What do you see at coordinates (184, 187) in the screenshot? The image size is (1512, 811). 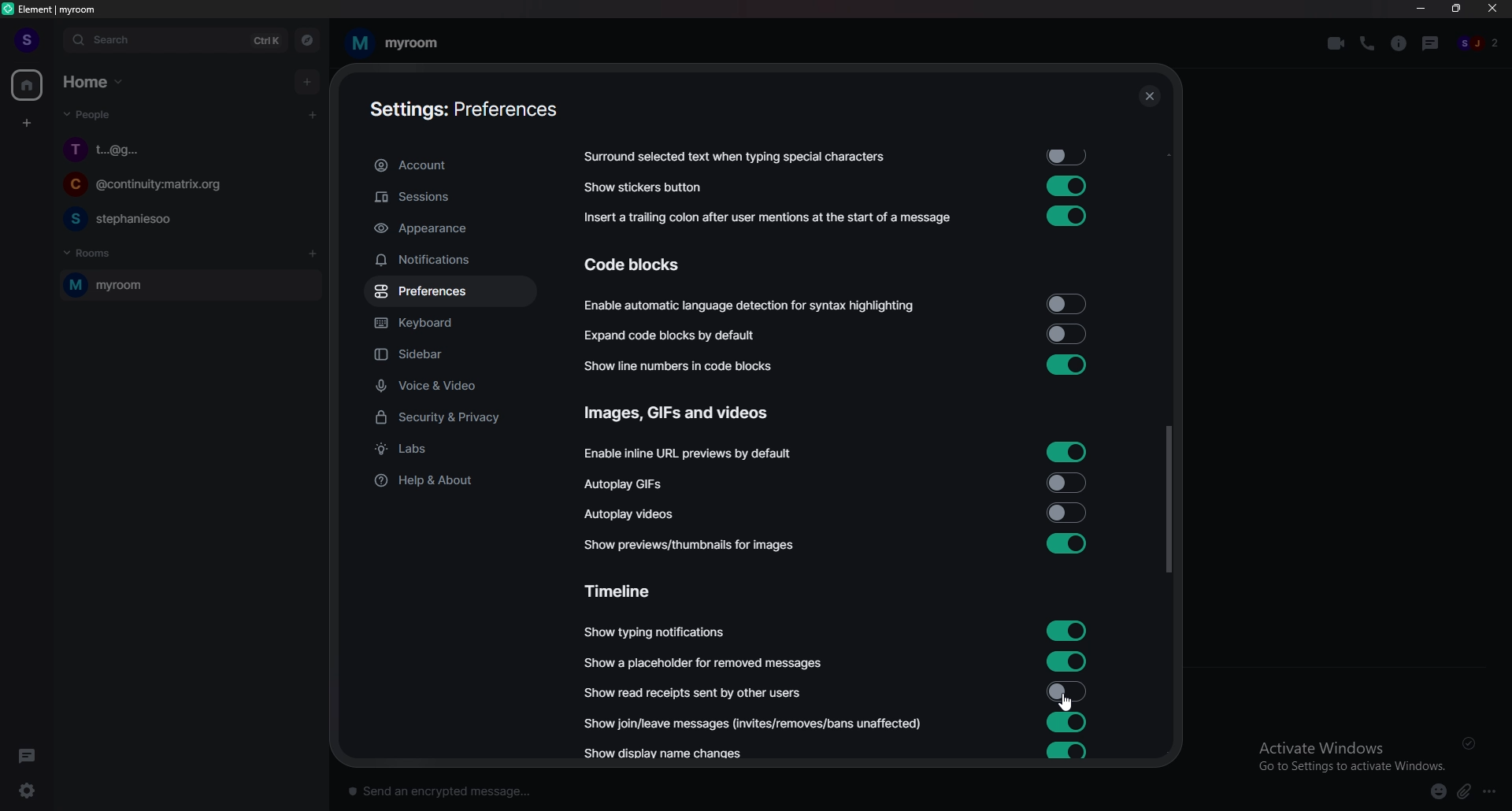 I see `chat` at bounding box center [184, 187].